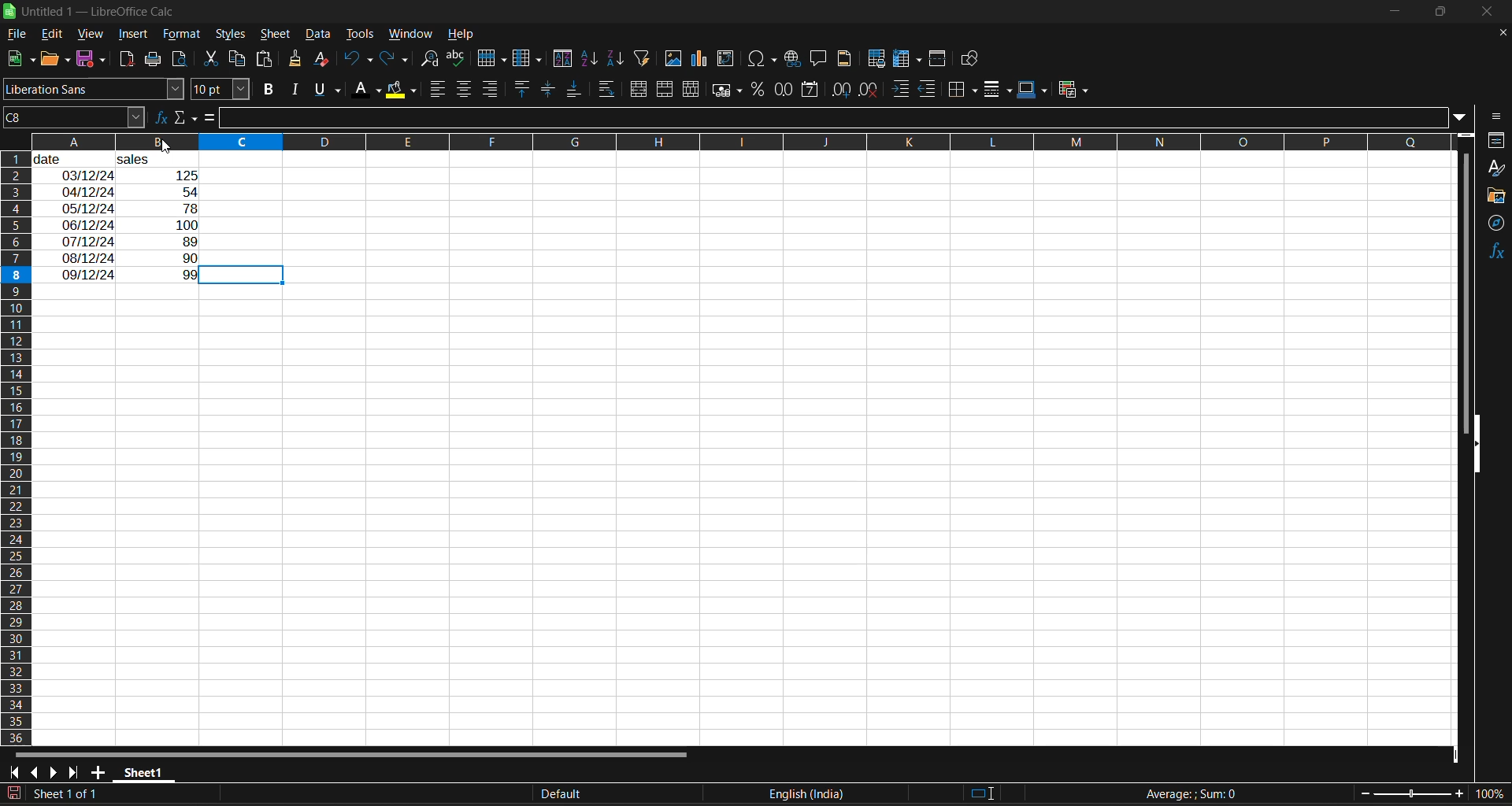 This screenshot has width=1512, height=806. Describe the element at coordinates (1478, 444) in the screenshot. I see `hide` at that location.